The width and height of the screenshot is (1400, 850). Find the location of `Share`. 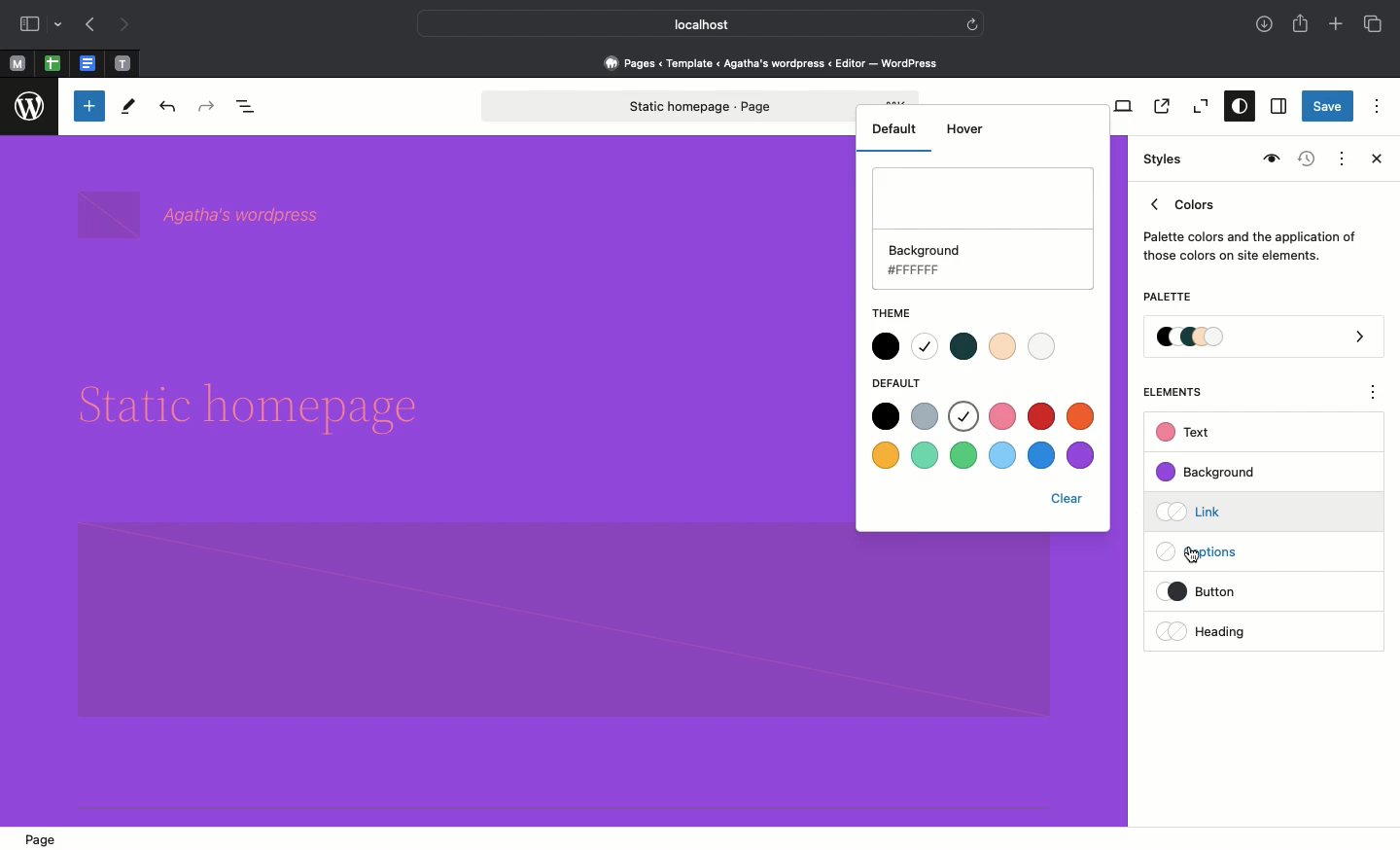

Share is located at coordinates (1302, 23).